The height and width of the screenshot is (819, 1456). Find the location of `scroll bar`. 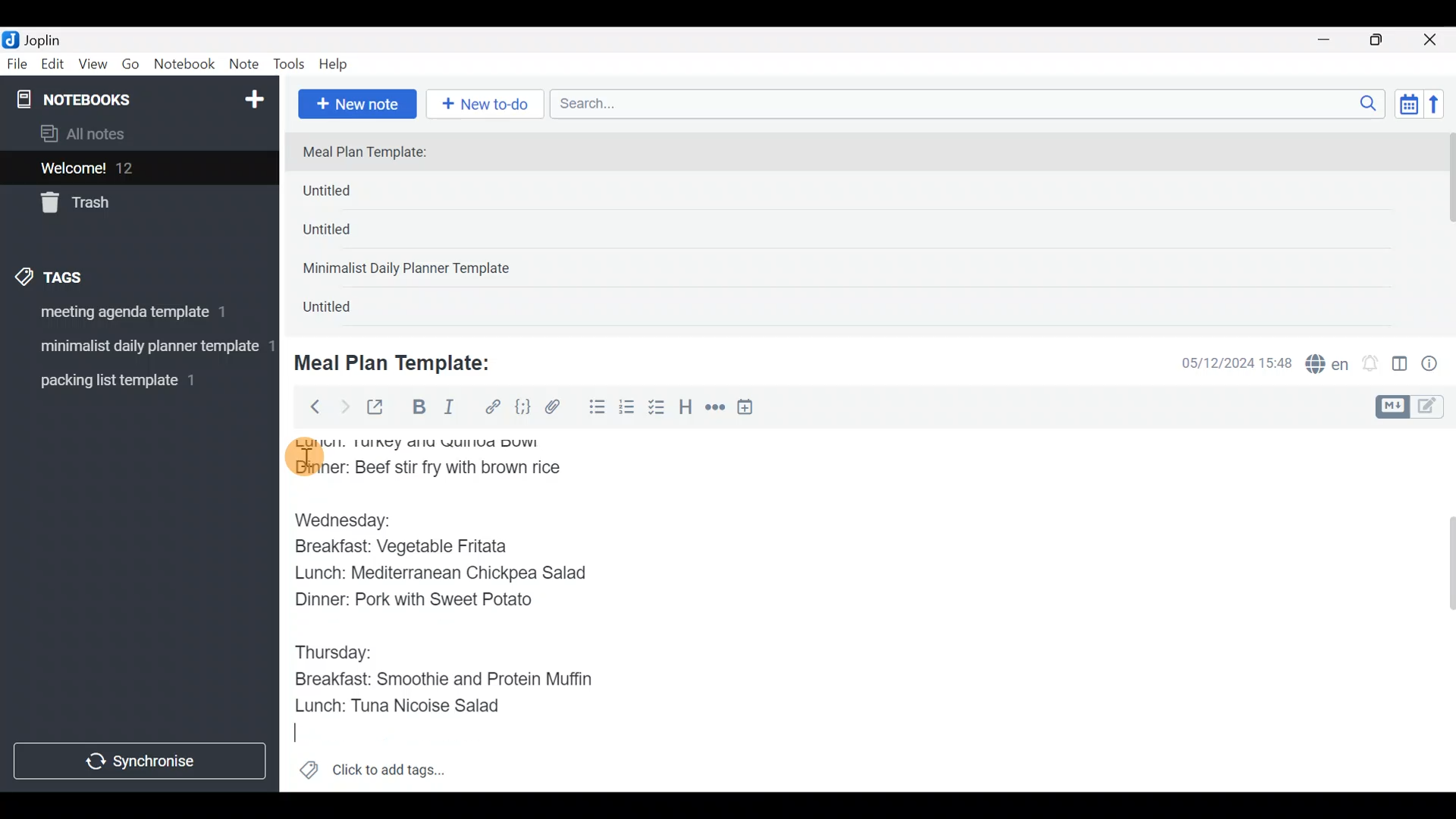

scroll bar is located at coordinates (1446, 229).